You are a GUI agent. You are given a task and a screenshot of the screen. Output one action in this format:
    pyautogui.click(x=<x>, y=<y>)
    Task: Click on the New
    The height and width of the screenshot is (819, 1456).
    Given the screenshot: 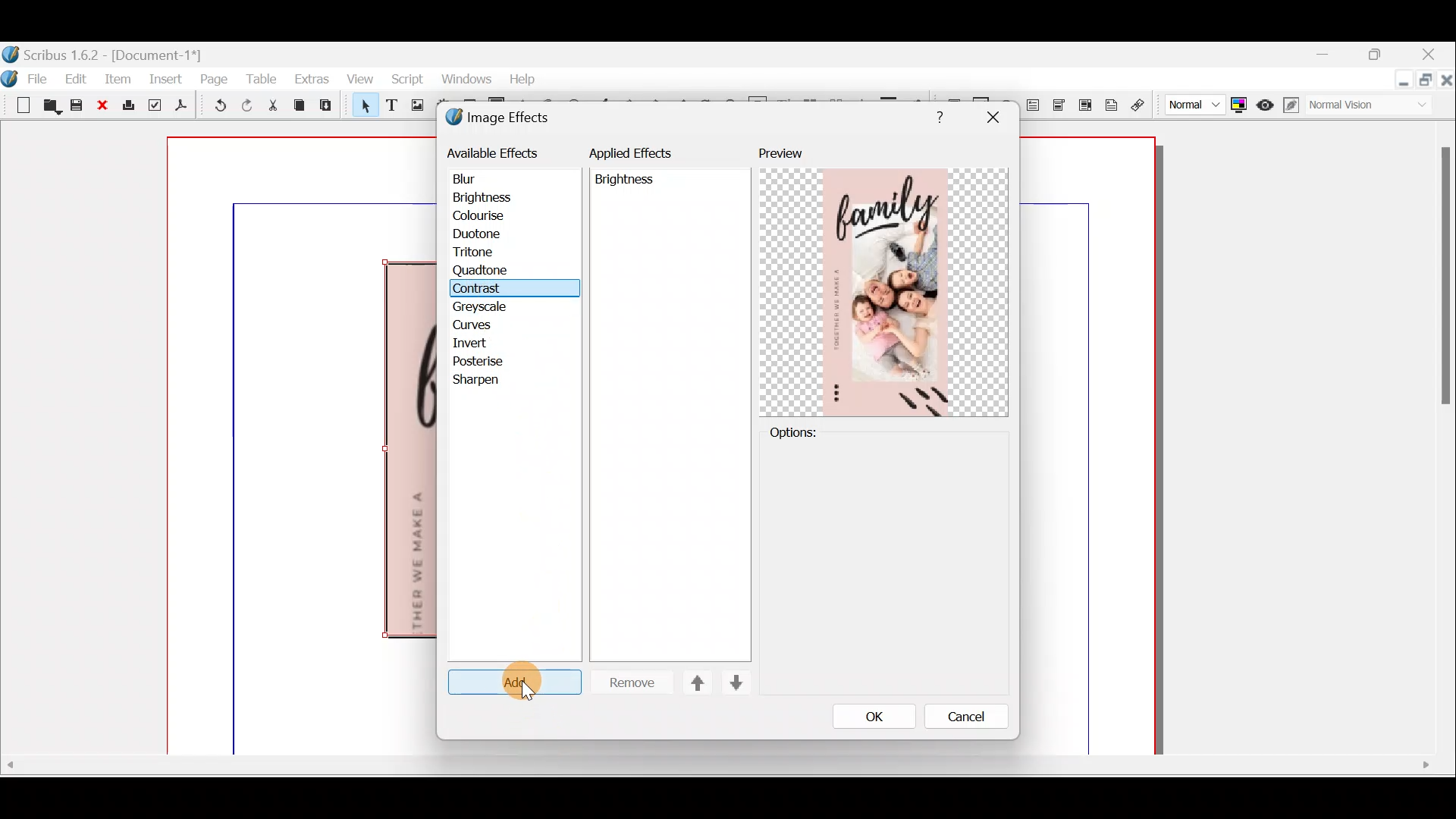 What is the action you would take?
    pyautogui.click(x=15, y=104)
    